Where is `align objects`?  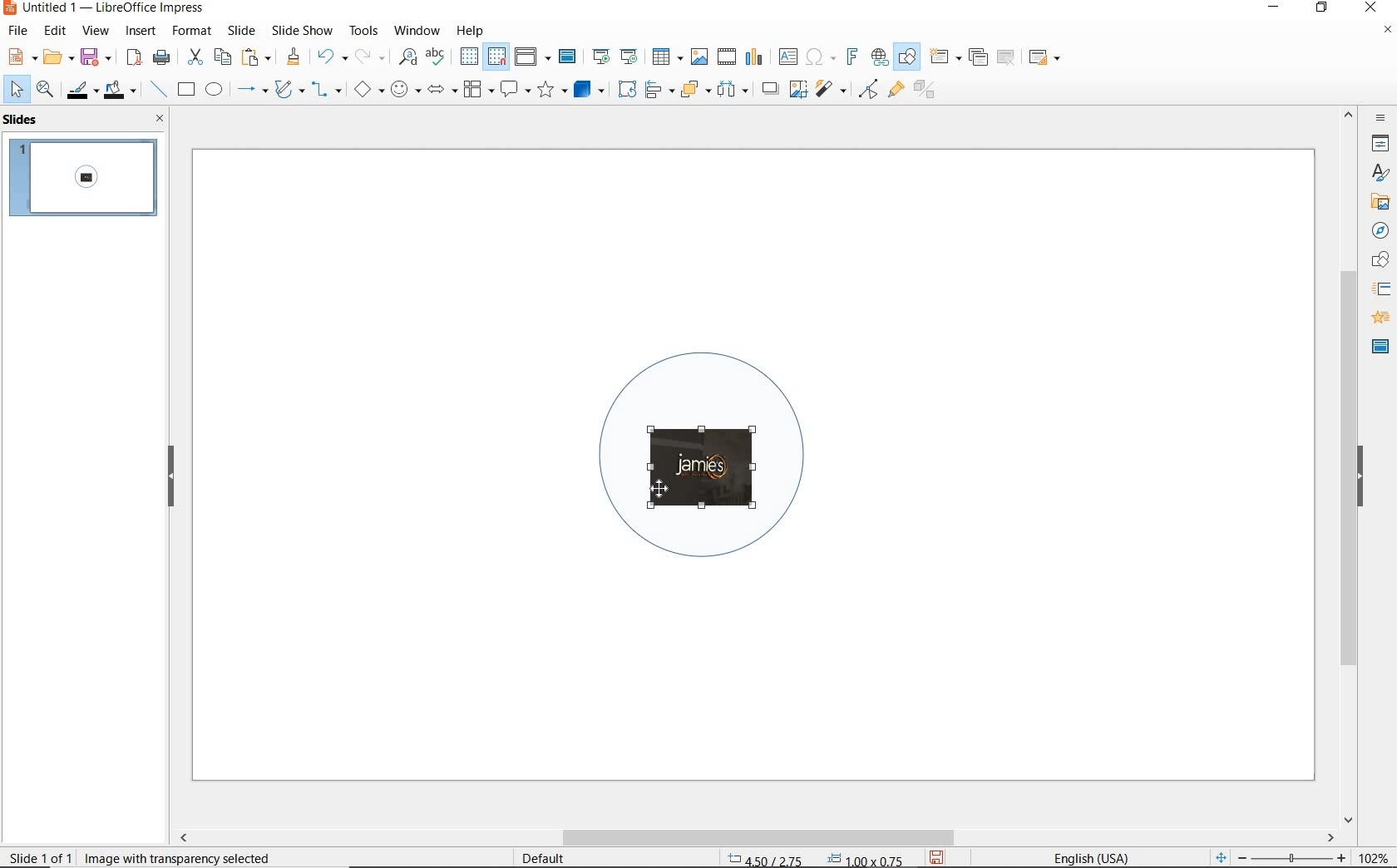 align objects is located at coordinates (655, 88).